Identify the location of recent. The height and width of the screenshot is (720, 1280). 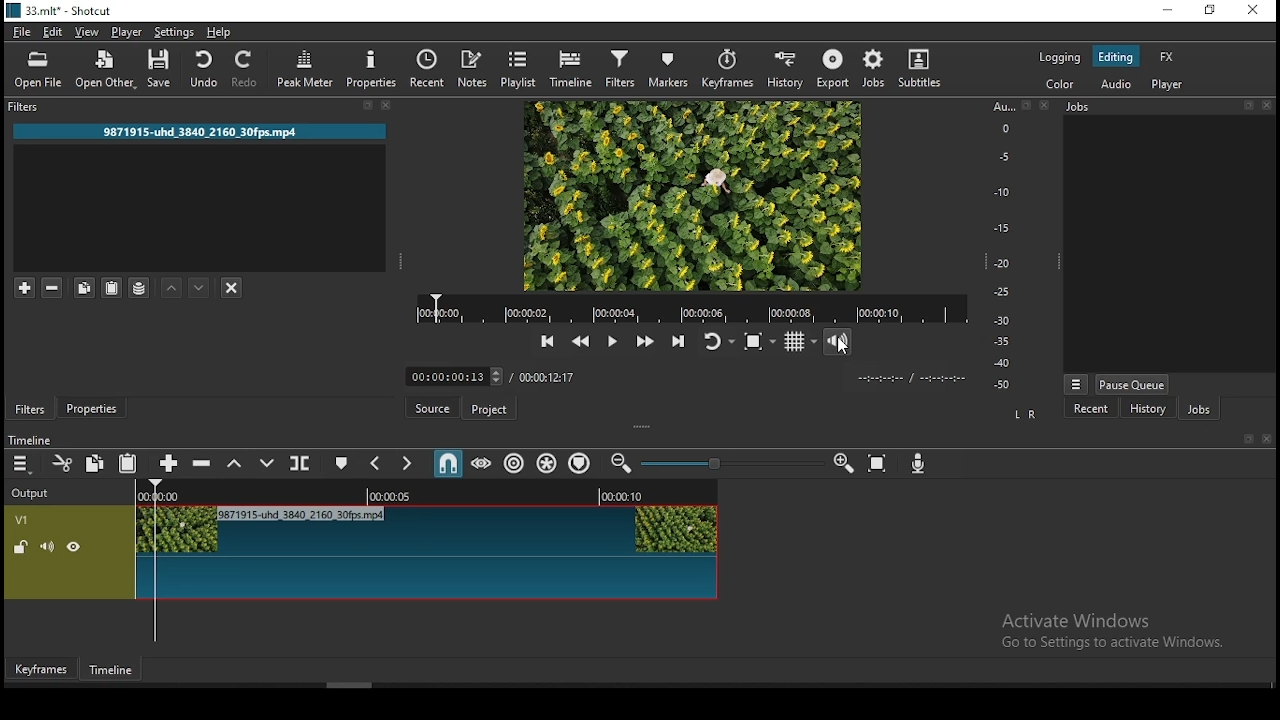
(1095, 409).